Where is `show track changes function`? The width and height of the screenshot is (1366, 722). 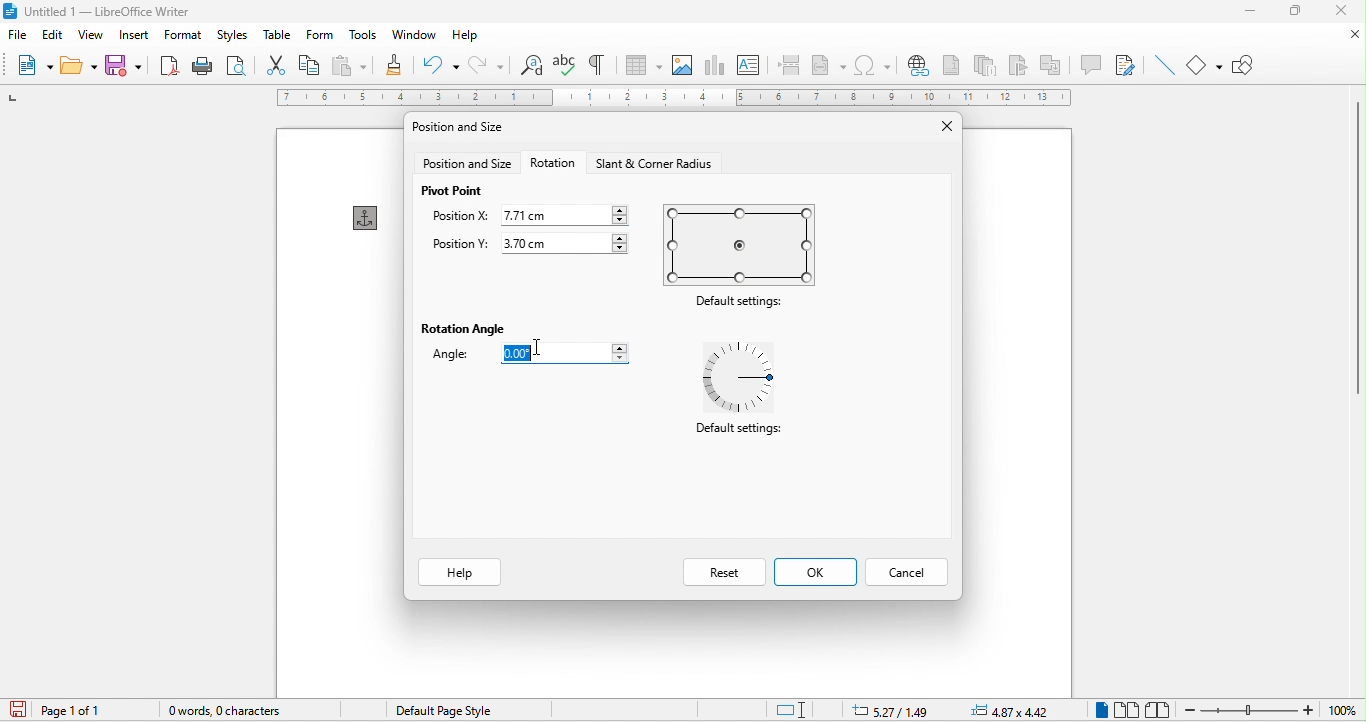
show track changes function is located at coordinates (1125, 64).